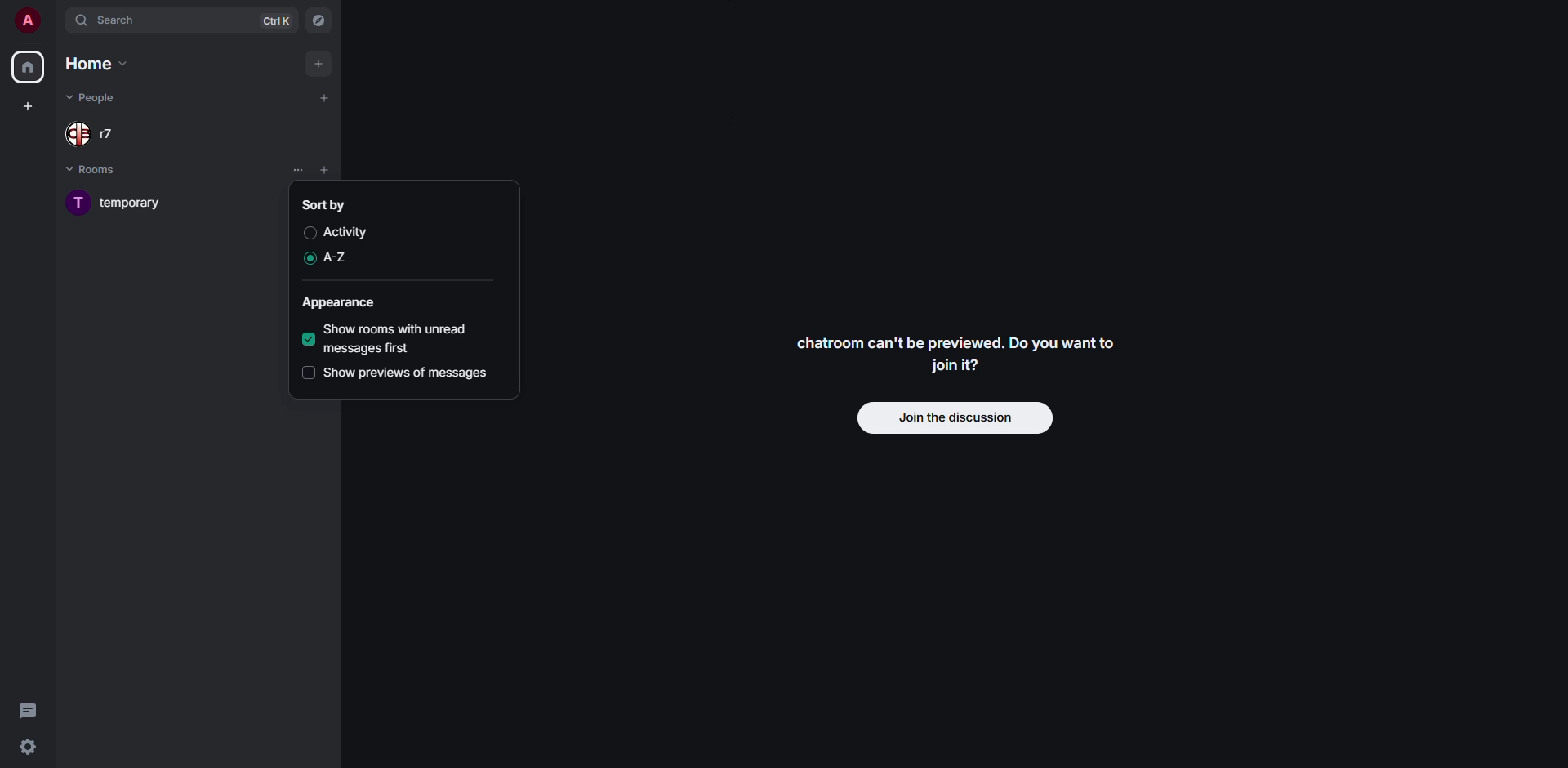 The height and width of the screenshot is (768, 1568). Describe the element at coordinates (276, 20) in the screenshot. I see `ctrl K` at that location.